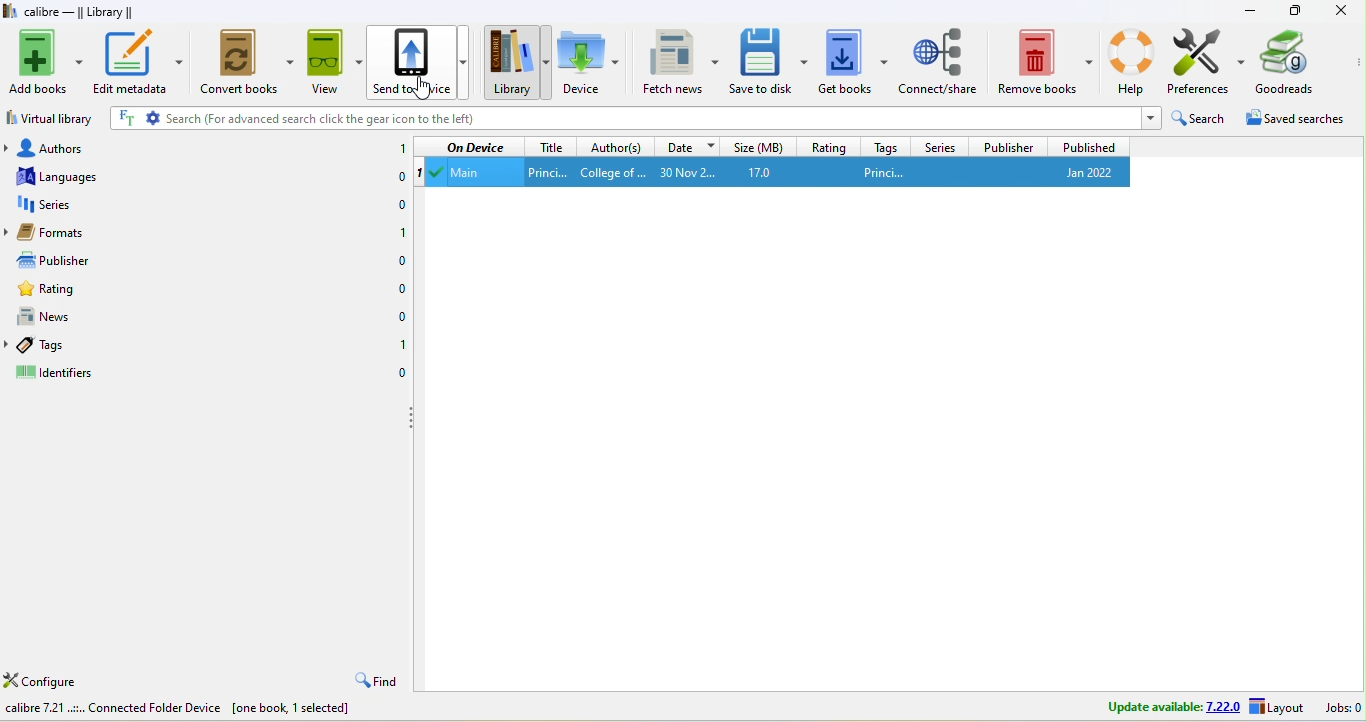 The width and height of the screenshot is (1366, 722). I want to click on library, so click(517, 64).